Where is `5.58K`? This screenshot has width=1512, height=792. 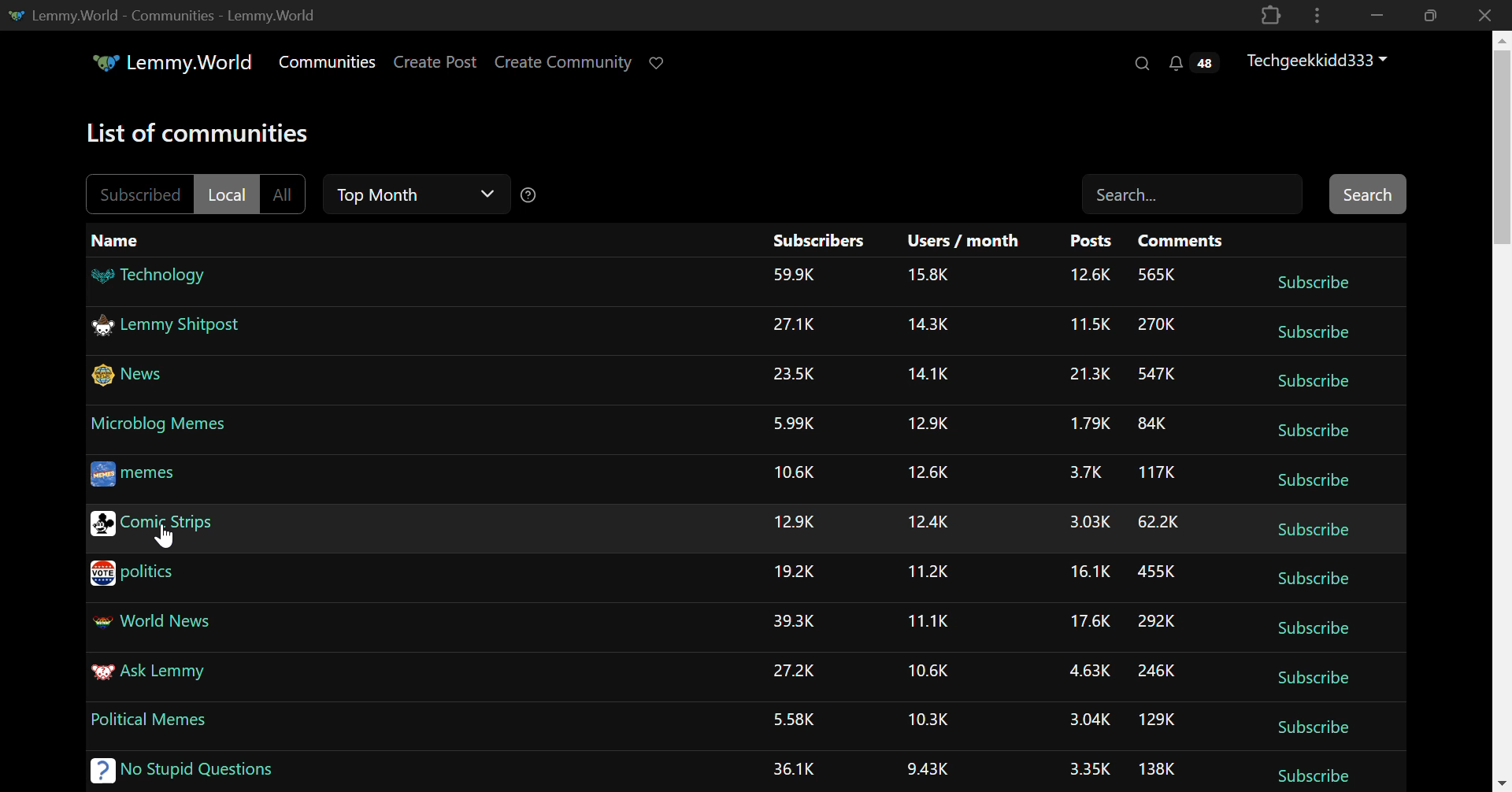
5.58K is located at coordinates (795, 720).